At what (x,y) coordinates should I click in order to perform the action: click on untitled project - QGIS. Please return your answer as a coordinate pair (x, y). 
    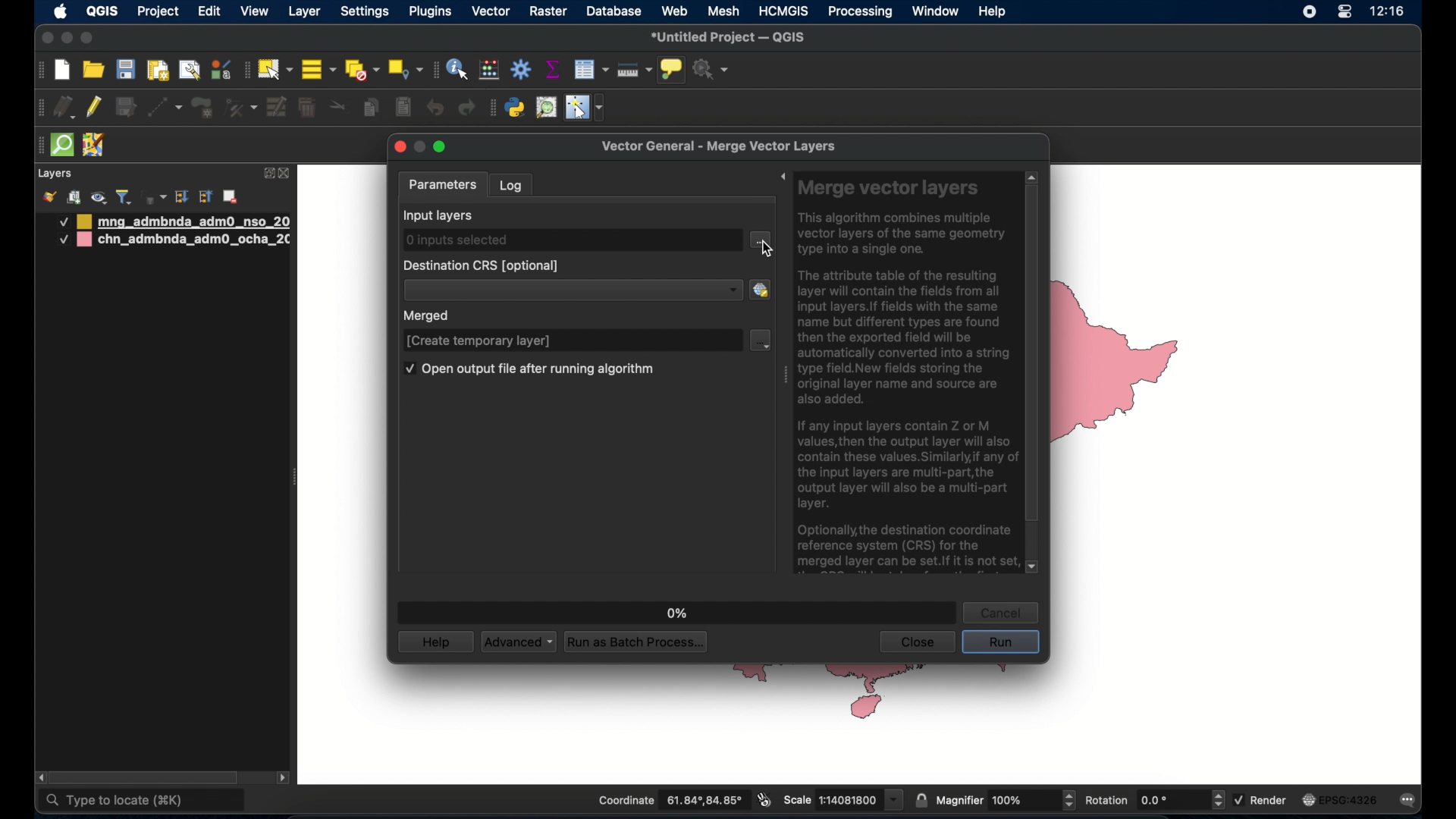
    Looking at the image, I should click on (730, 38).